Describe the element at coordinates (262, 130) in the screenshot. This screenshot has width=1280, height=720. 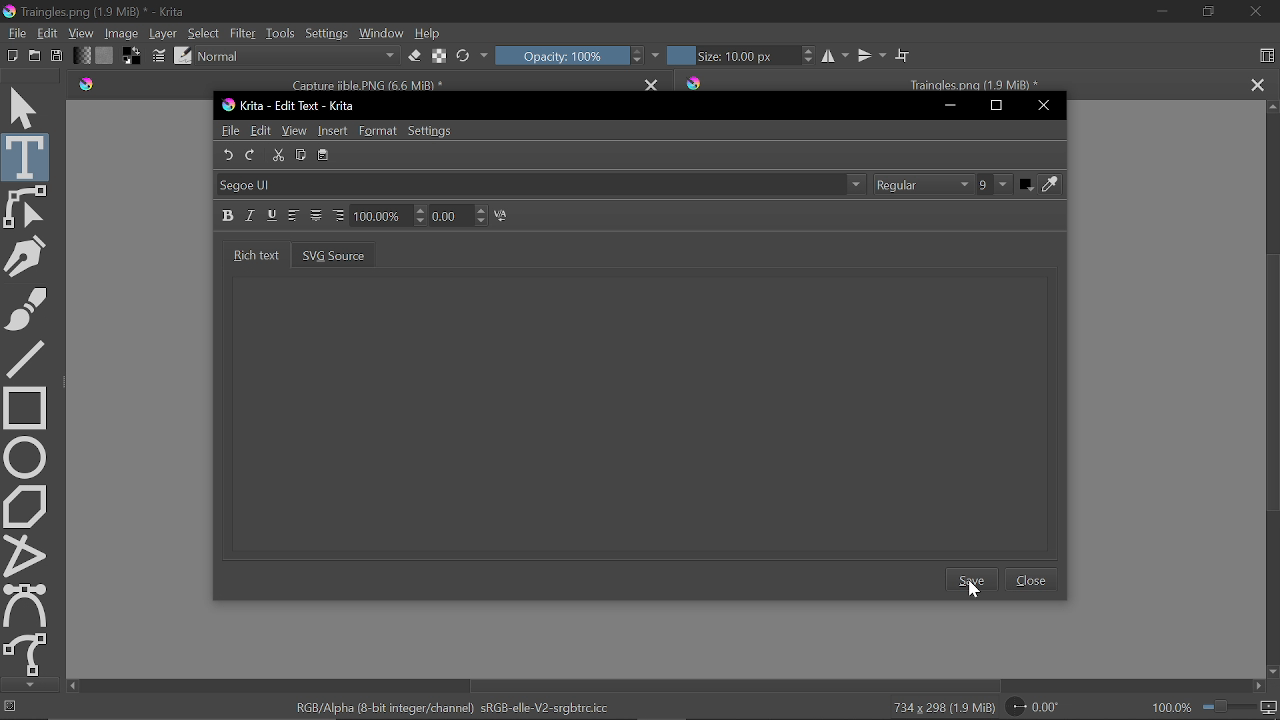
I see `Edit` at that location.